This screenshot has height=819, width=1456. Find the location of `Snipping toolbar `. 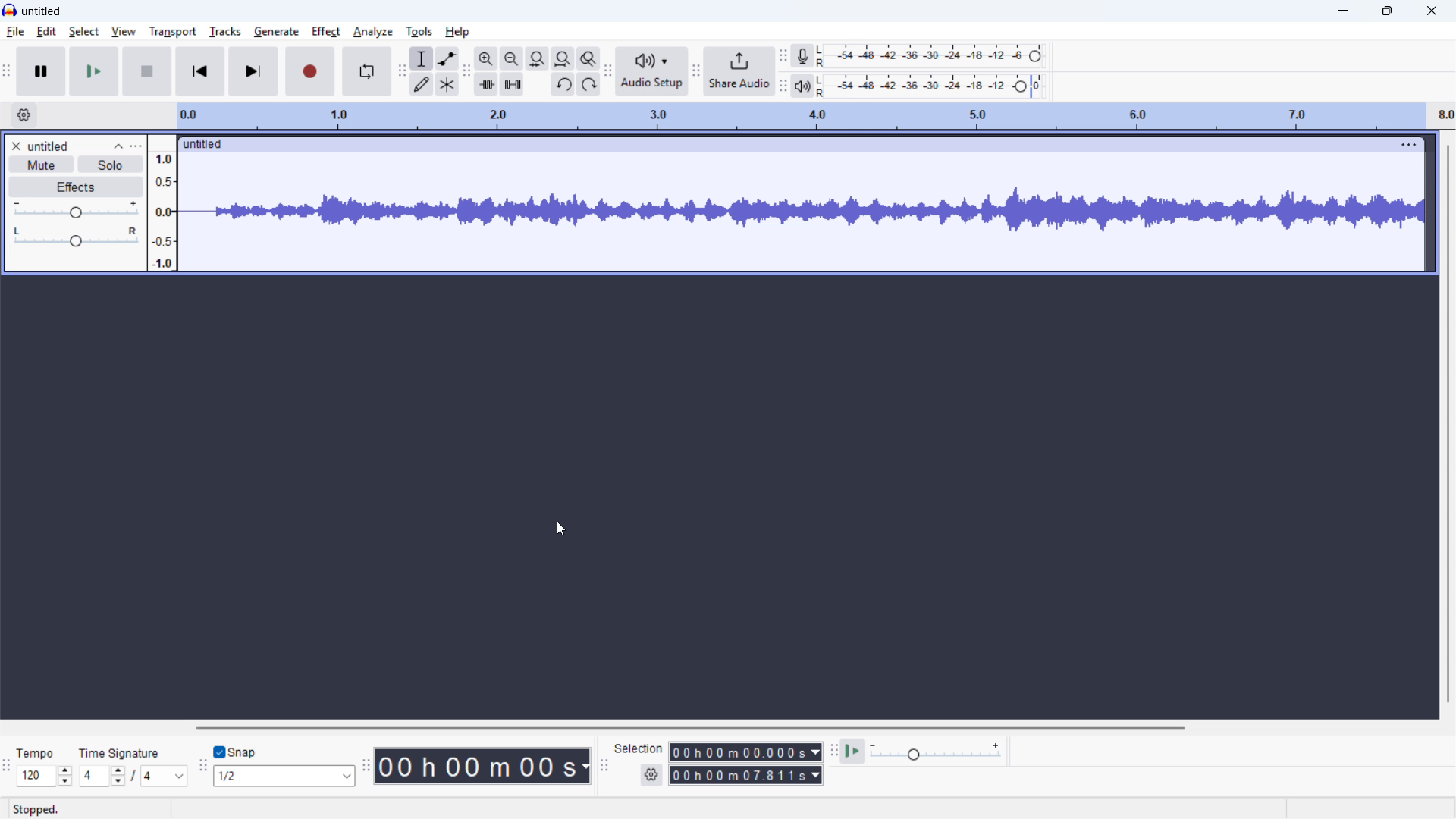

Snipping toolbar  is located at coordinates (202, 769).